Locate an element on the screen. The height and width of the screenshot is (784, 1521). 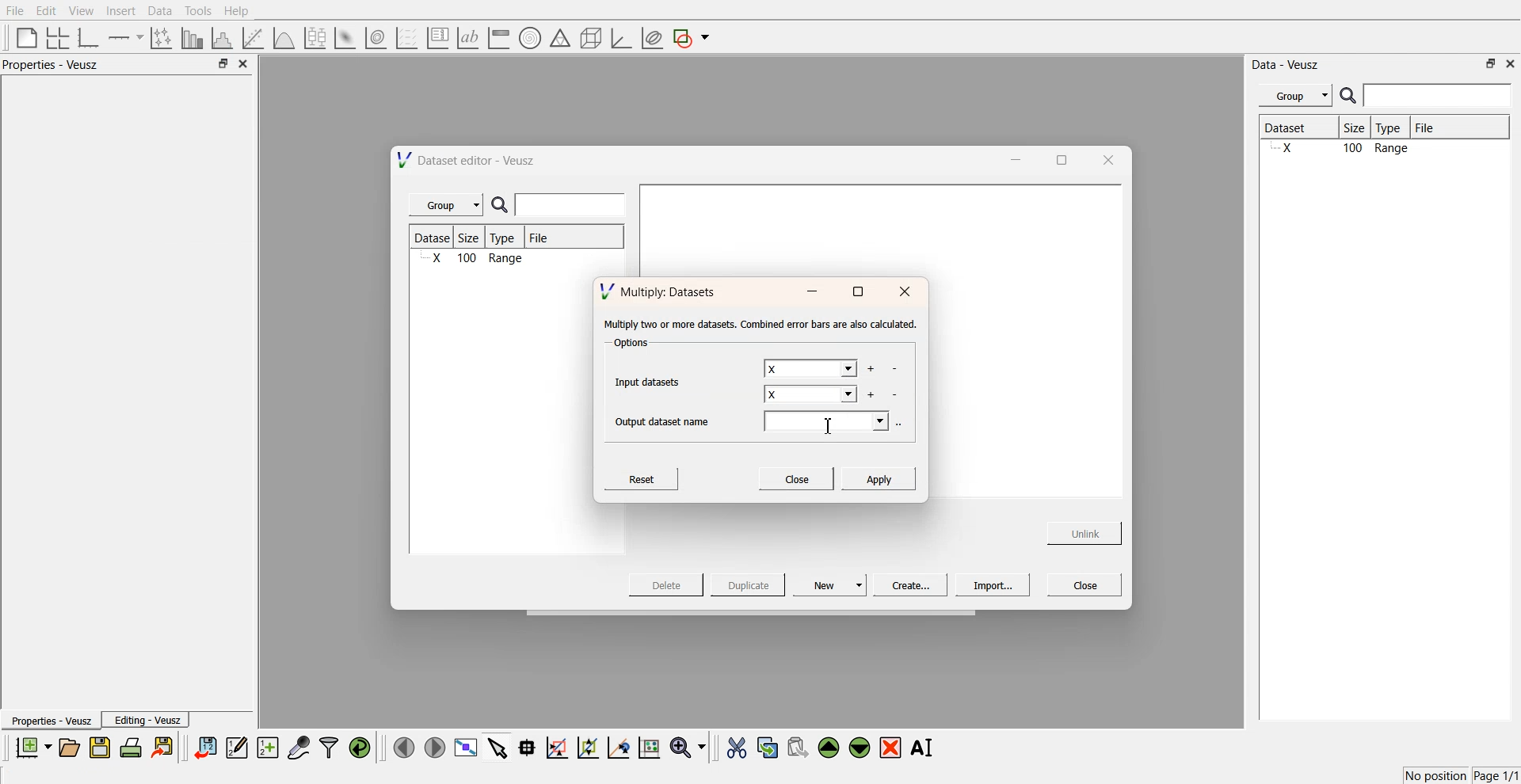
X is located at coordinates (811, 396).